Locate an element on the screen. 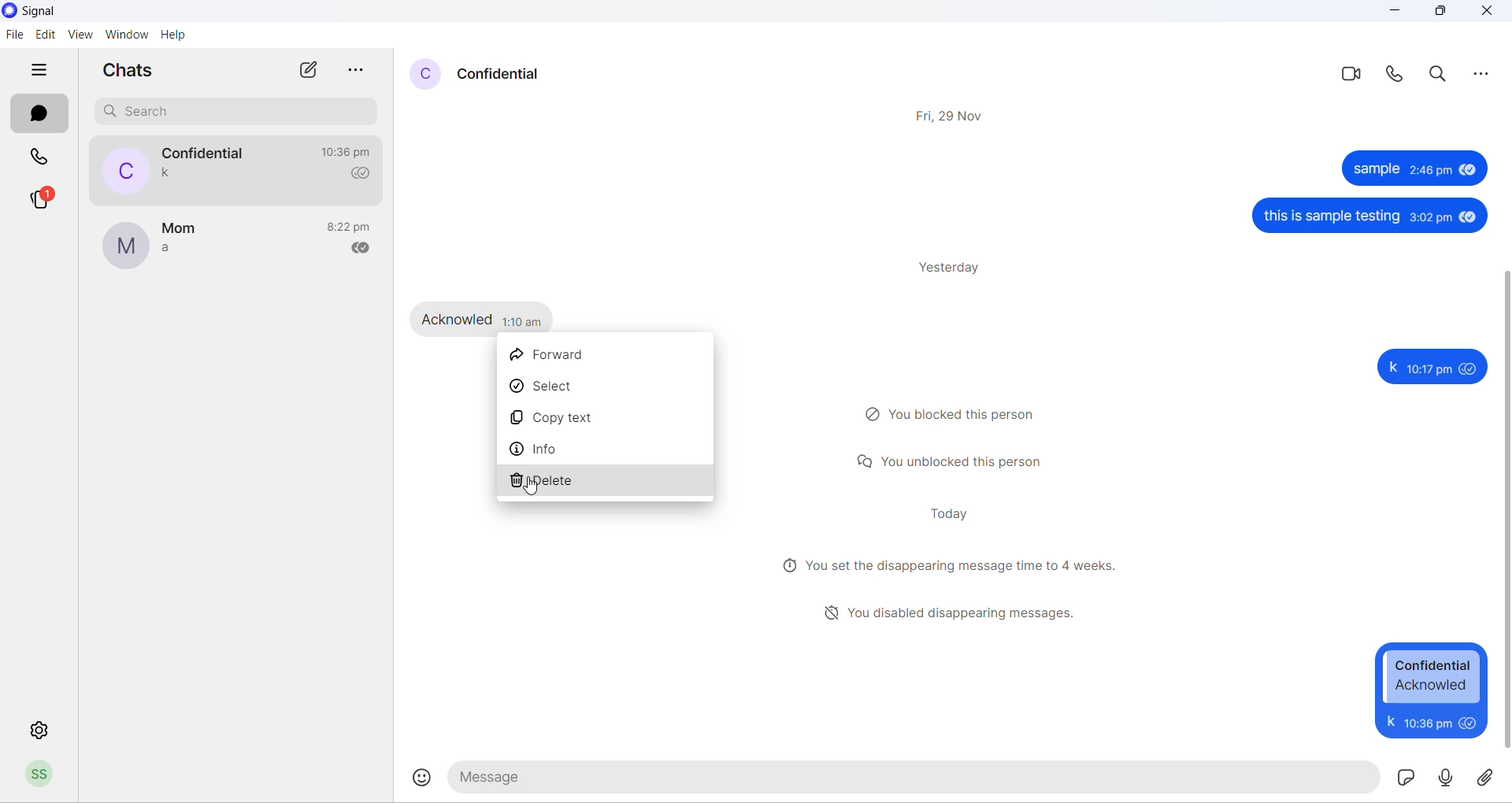 The image size is (1512, 803). close is located at coordinates (1492, 16).